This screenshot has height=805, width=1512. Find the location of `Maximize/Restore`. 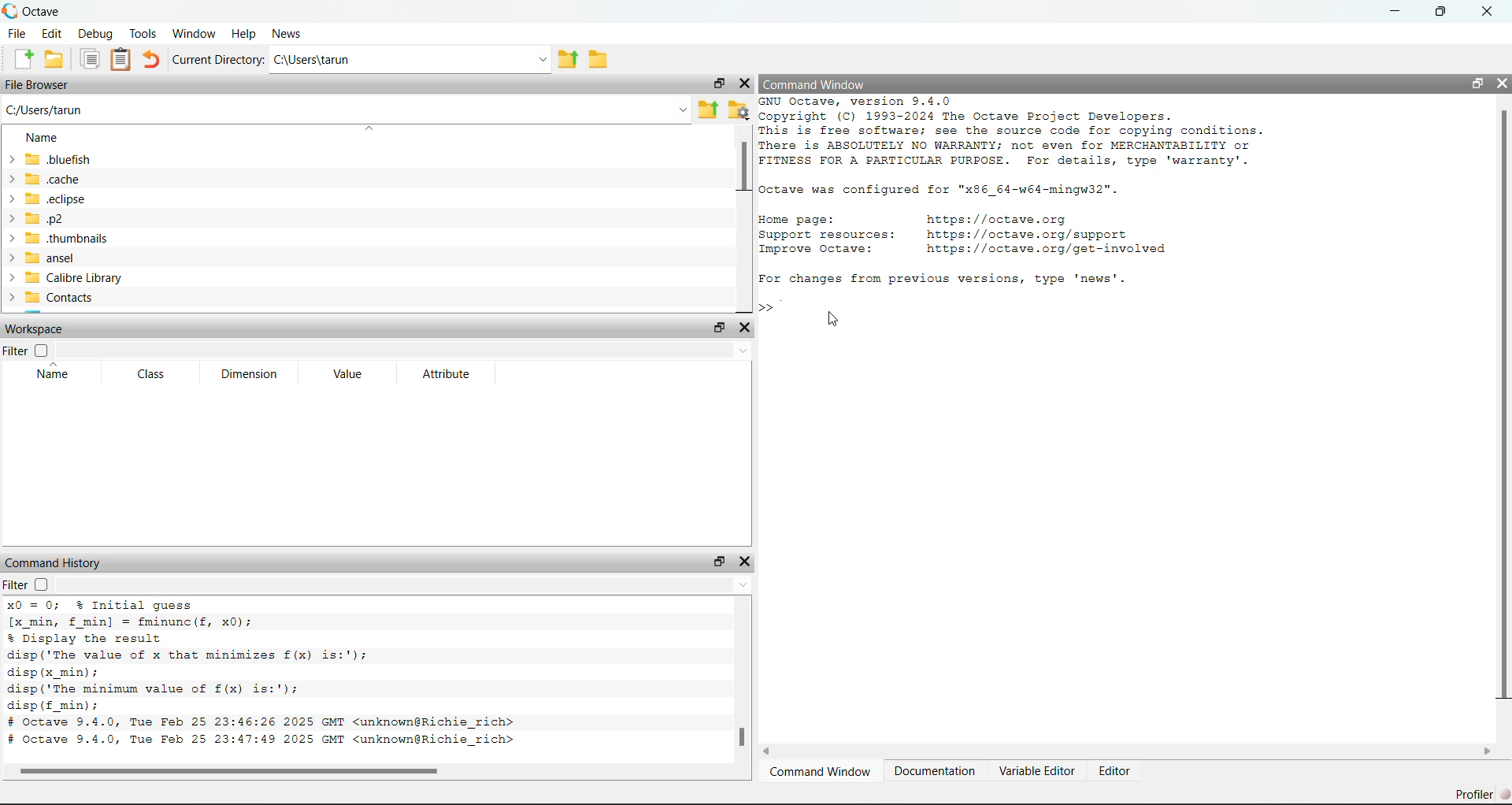

Maximize/Restore is located at coordinates (719, 327).